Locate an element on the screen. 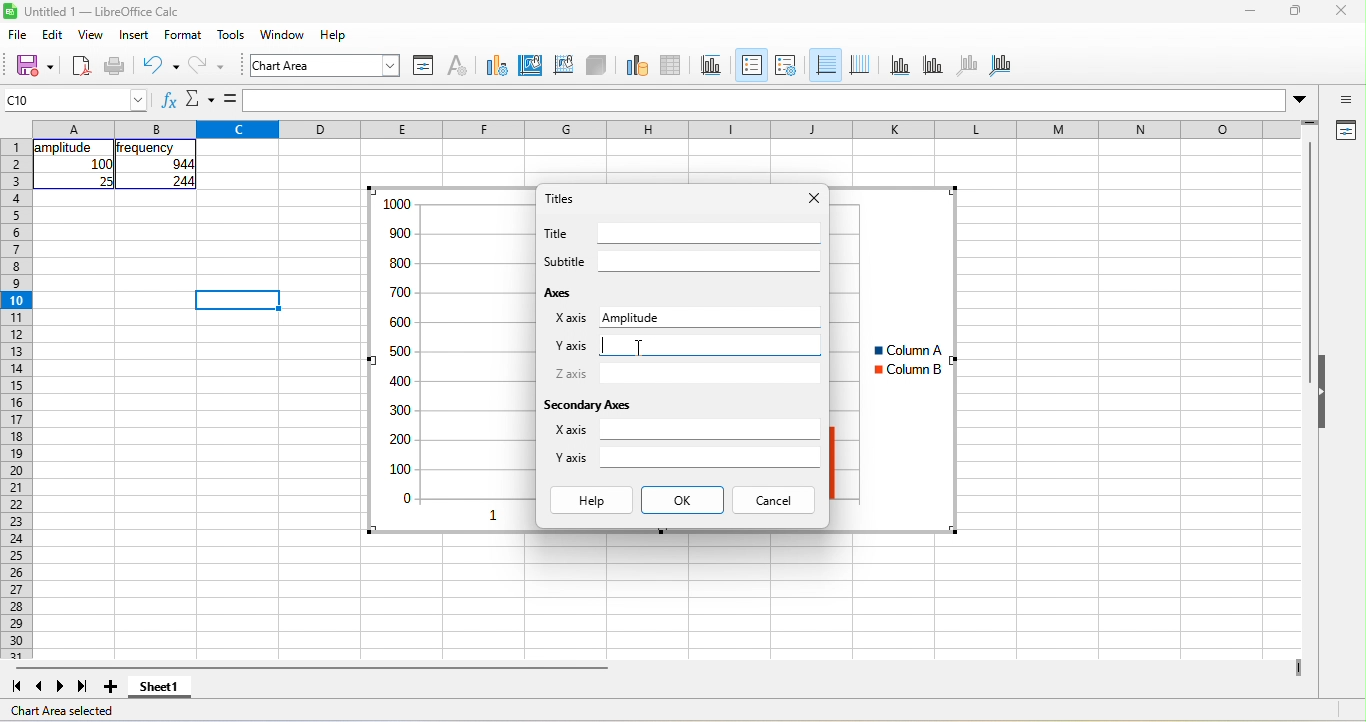 Image resolution: width=1366 pixels, height=722 pixels. chart type is located at coordinates (497, 66).